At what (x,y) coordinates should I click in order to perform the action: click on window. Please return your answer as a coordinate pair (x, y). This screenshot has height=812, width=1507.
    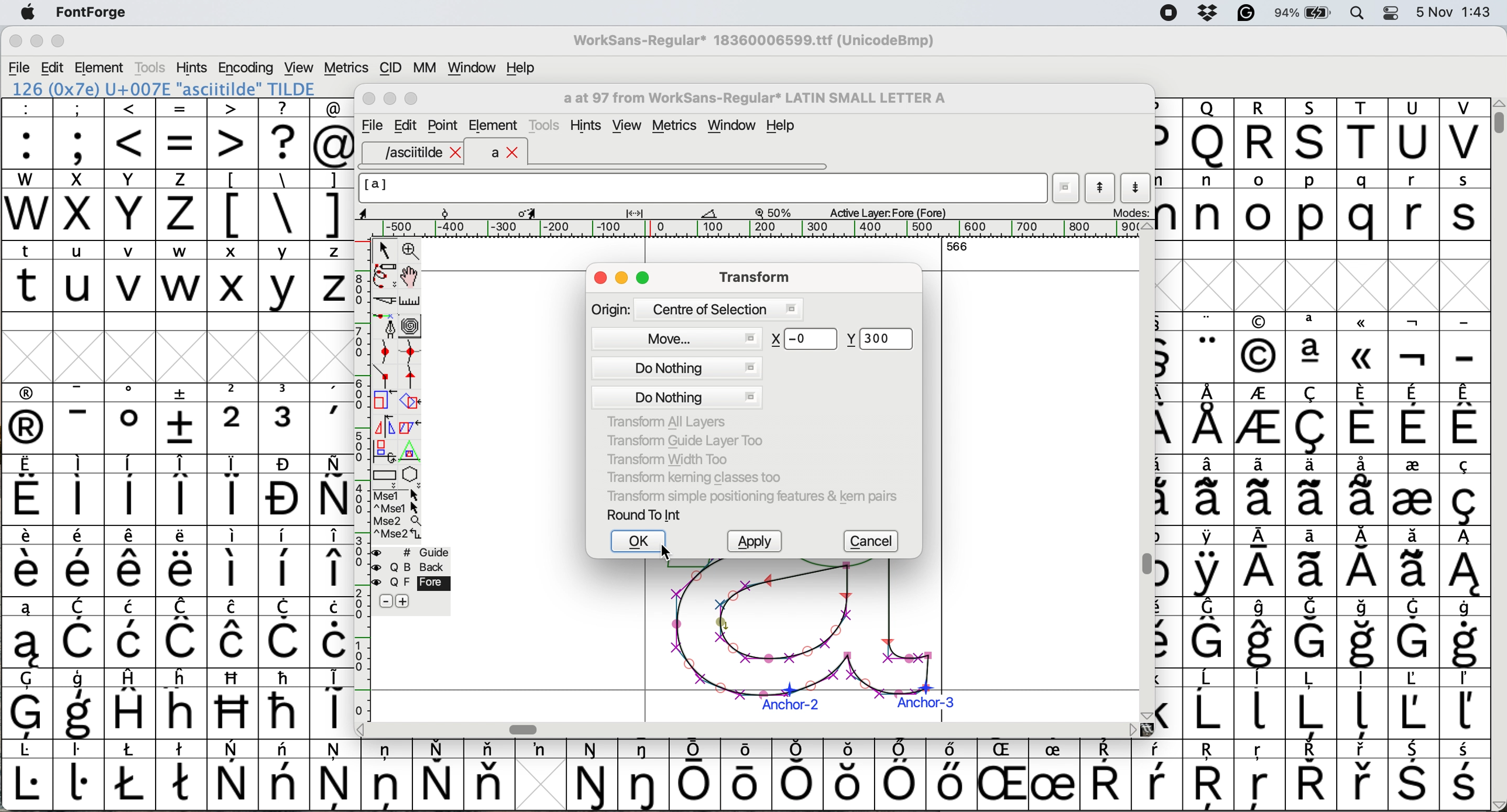
    Looking at the image, I should click on (734, 126).